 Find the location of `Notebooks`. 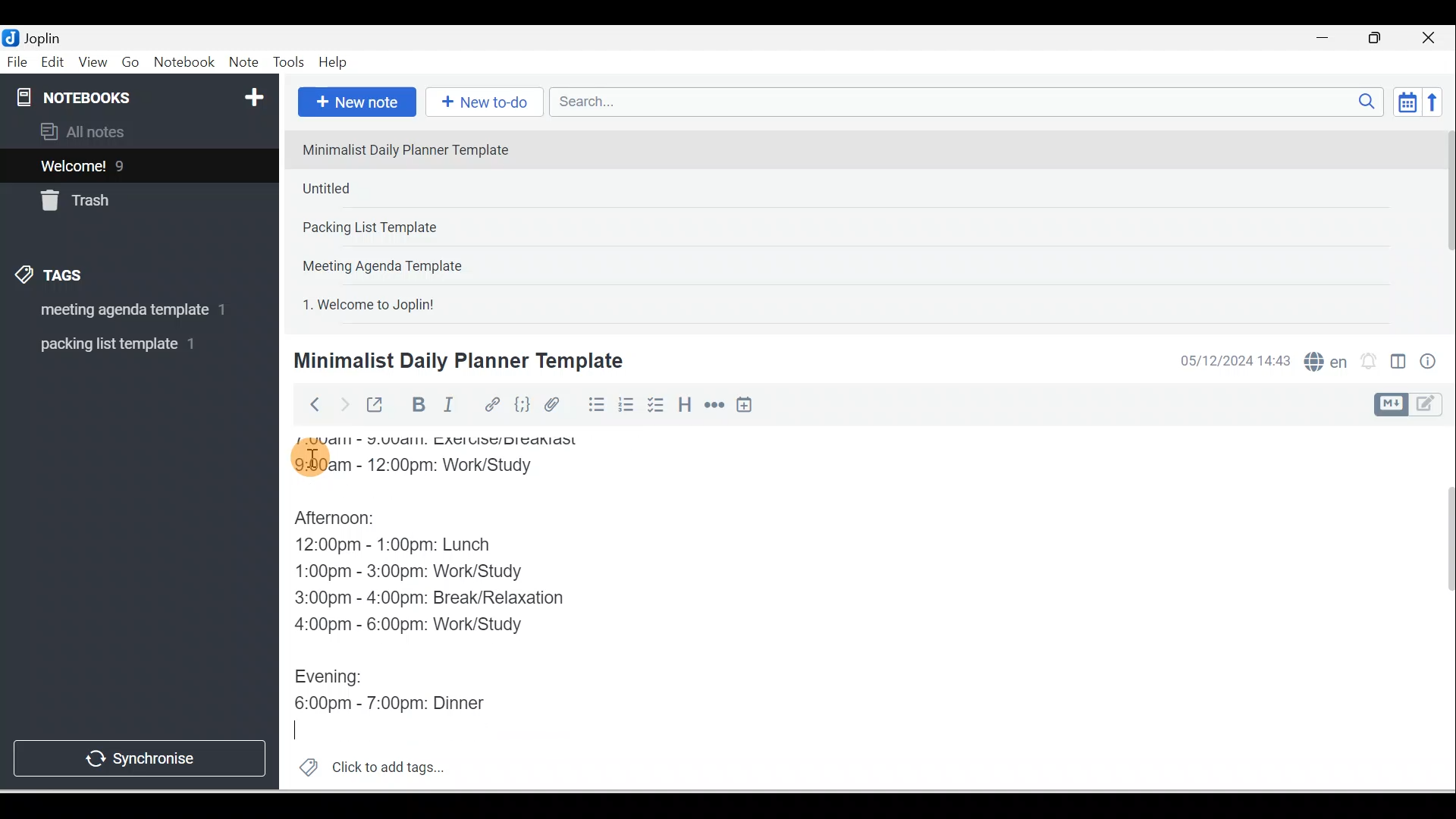

Notebooks is located at coordinates (143, 94).